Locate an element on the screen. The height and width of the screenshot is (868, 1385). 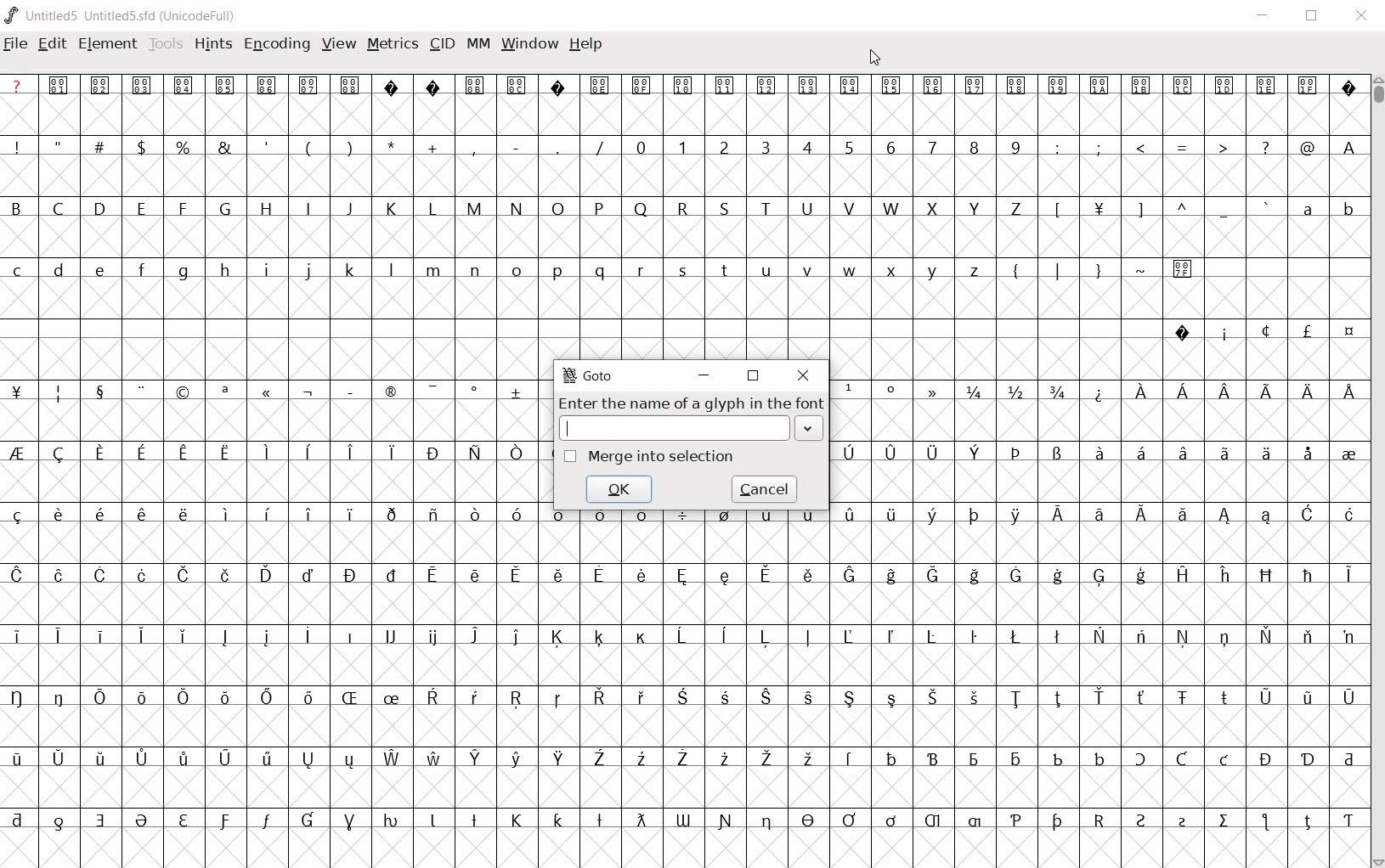
Symbol is located at coordinates (139, 514).